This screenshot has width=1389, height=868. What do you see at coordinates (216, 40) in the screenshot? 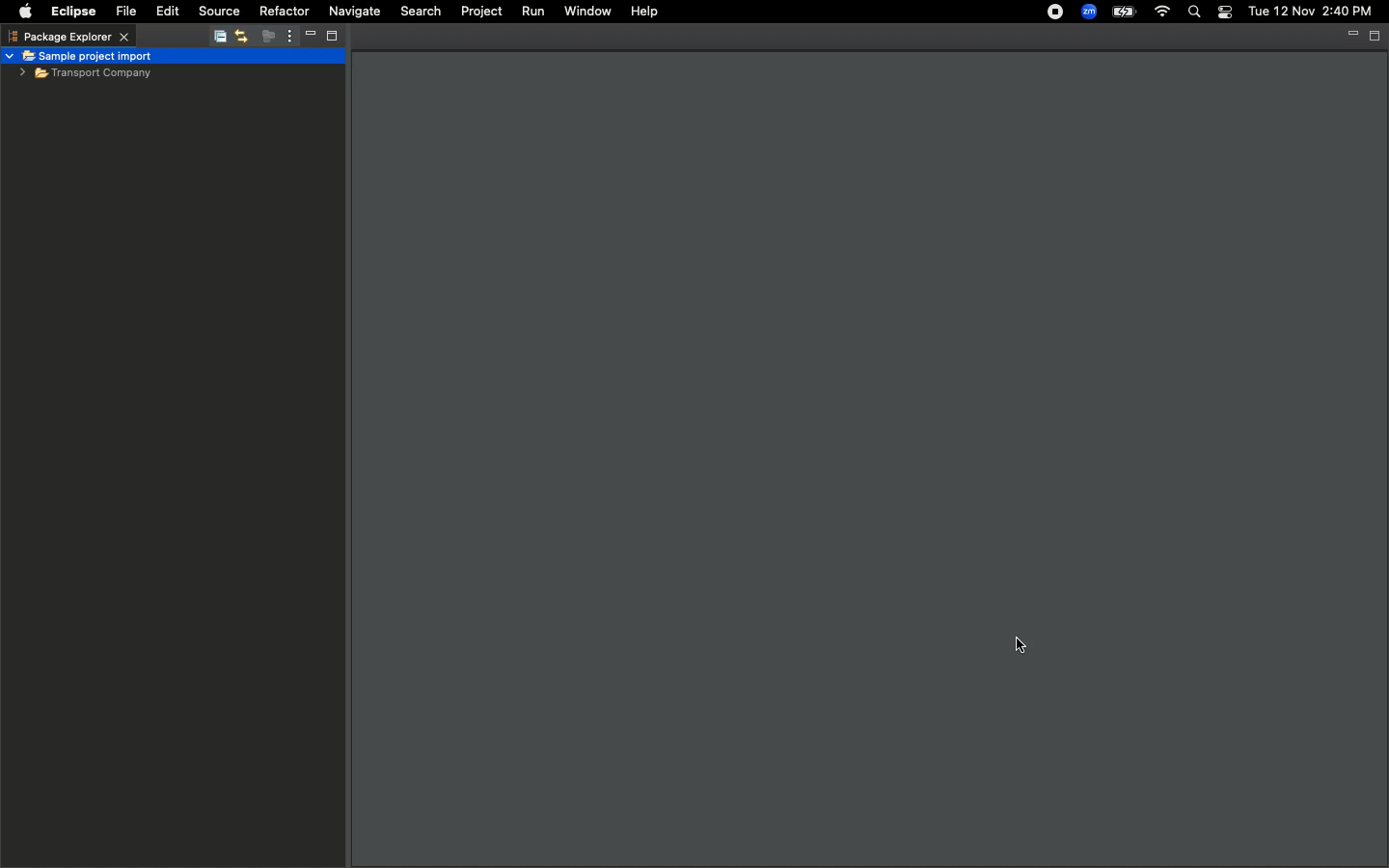
I see `Collapse all` at bounding box center [216, 40].